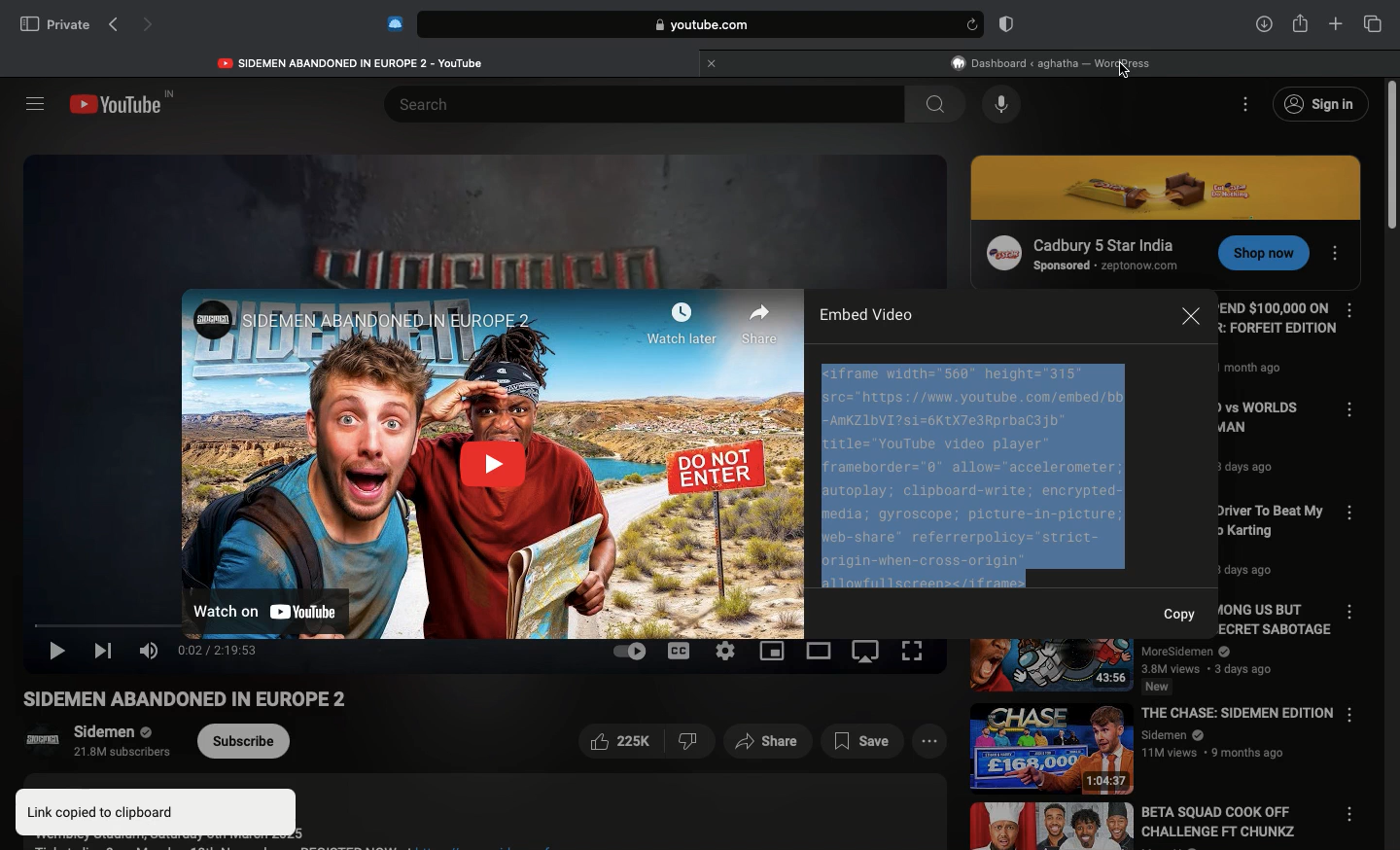  I want to click on Ad, so click(1169, 188).